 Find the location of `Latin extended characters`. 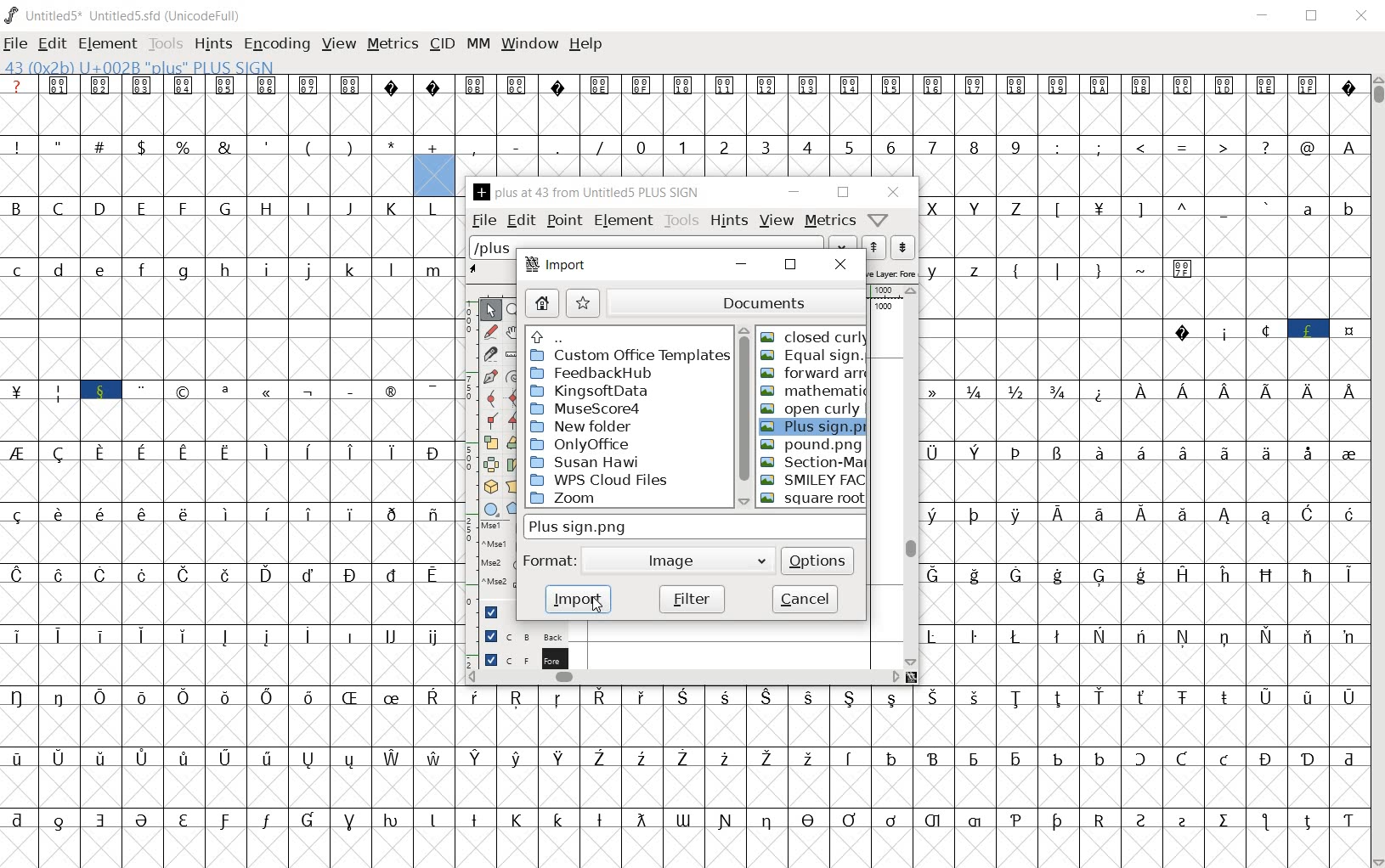

Latin extended characters is located at coordinates (1206, 472).